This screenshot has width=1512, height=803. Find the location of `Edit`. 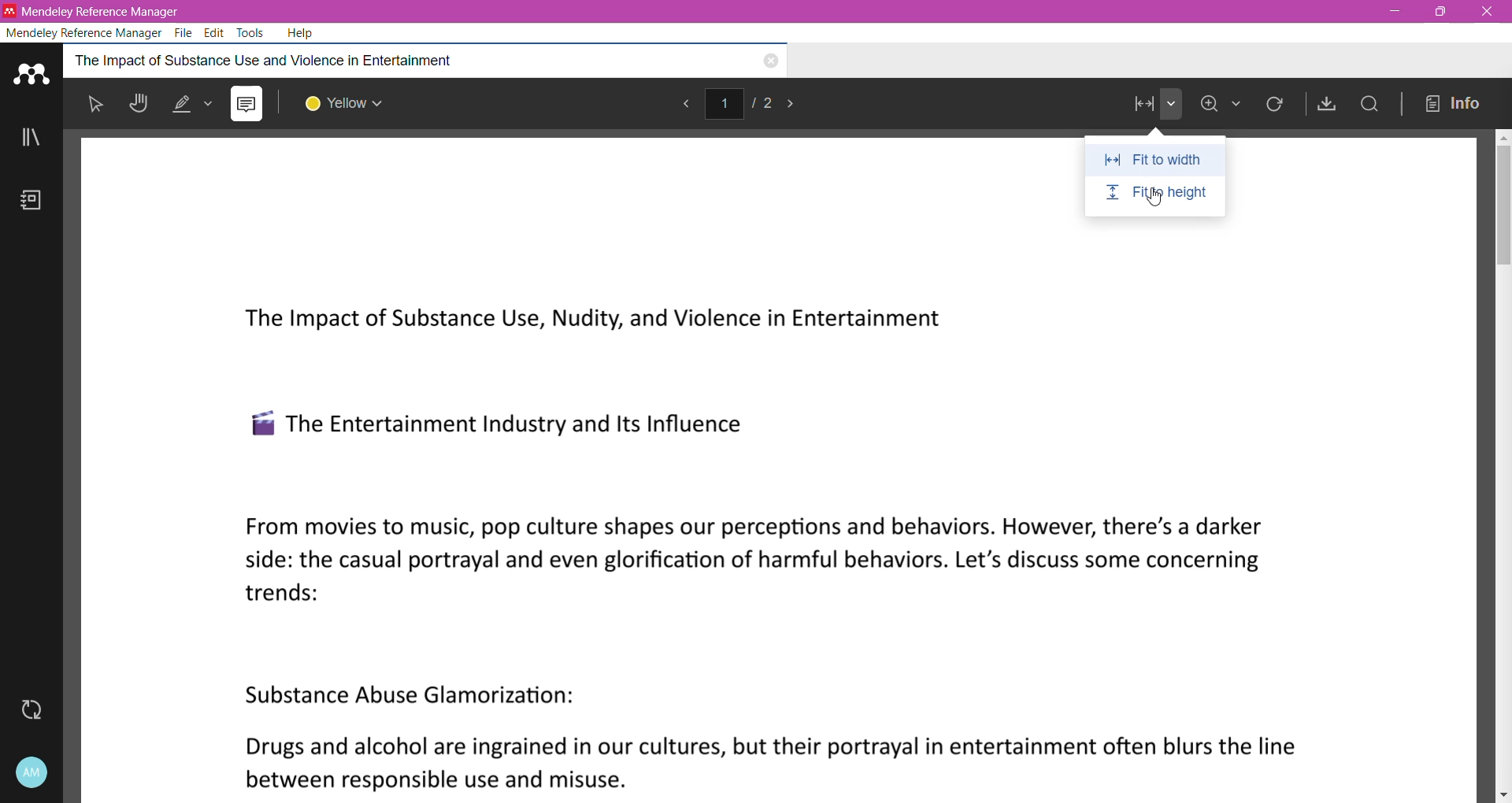

Edit is located at coordinates (215, 31).